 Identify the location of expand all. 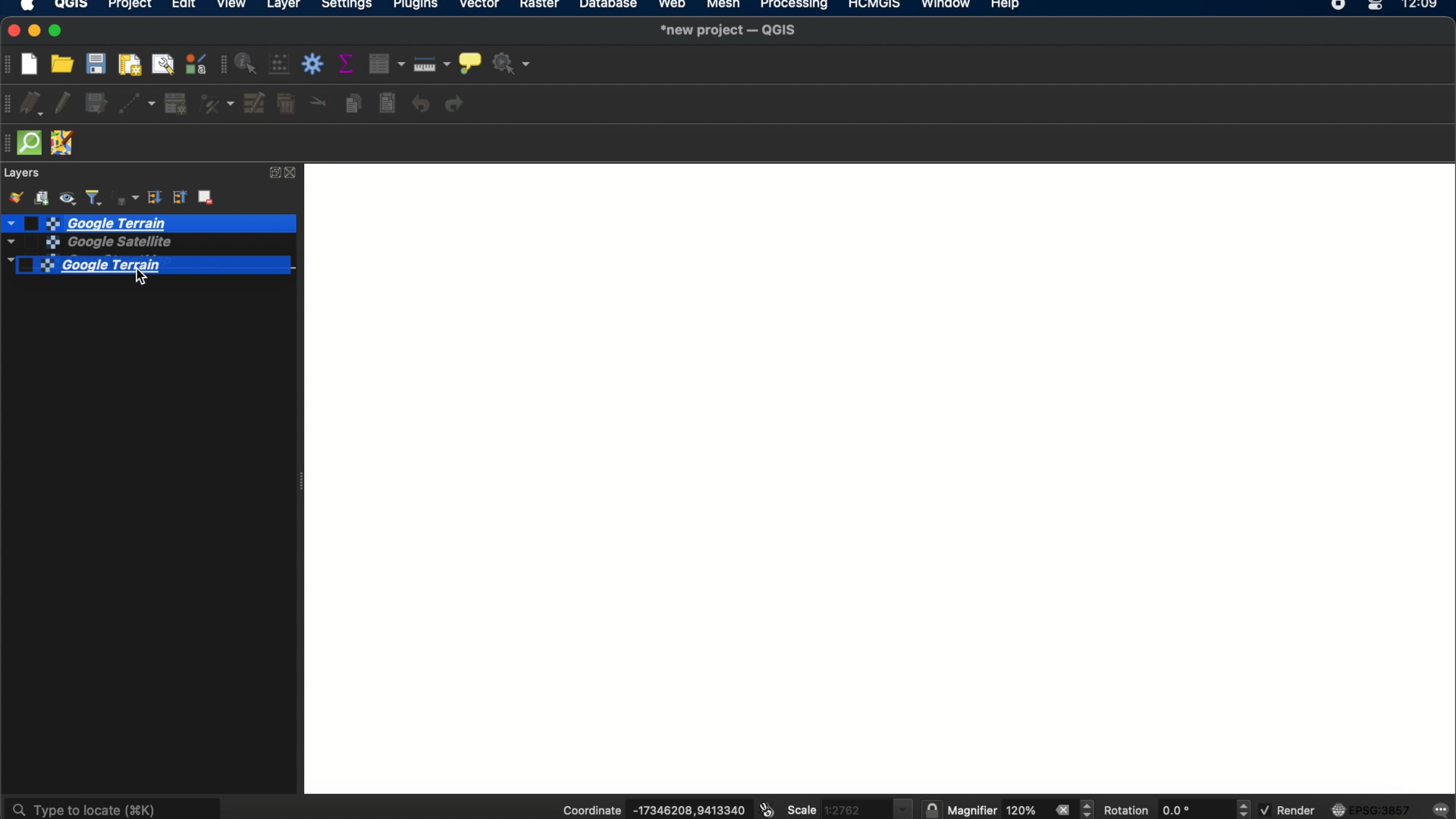
(154, 198).